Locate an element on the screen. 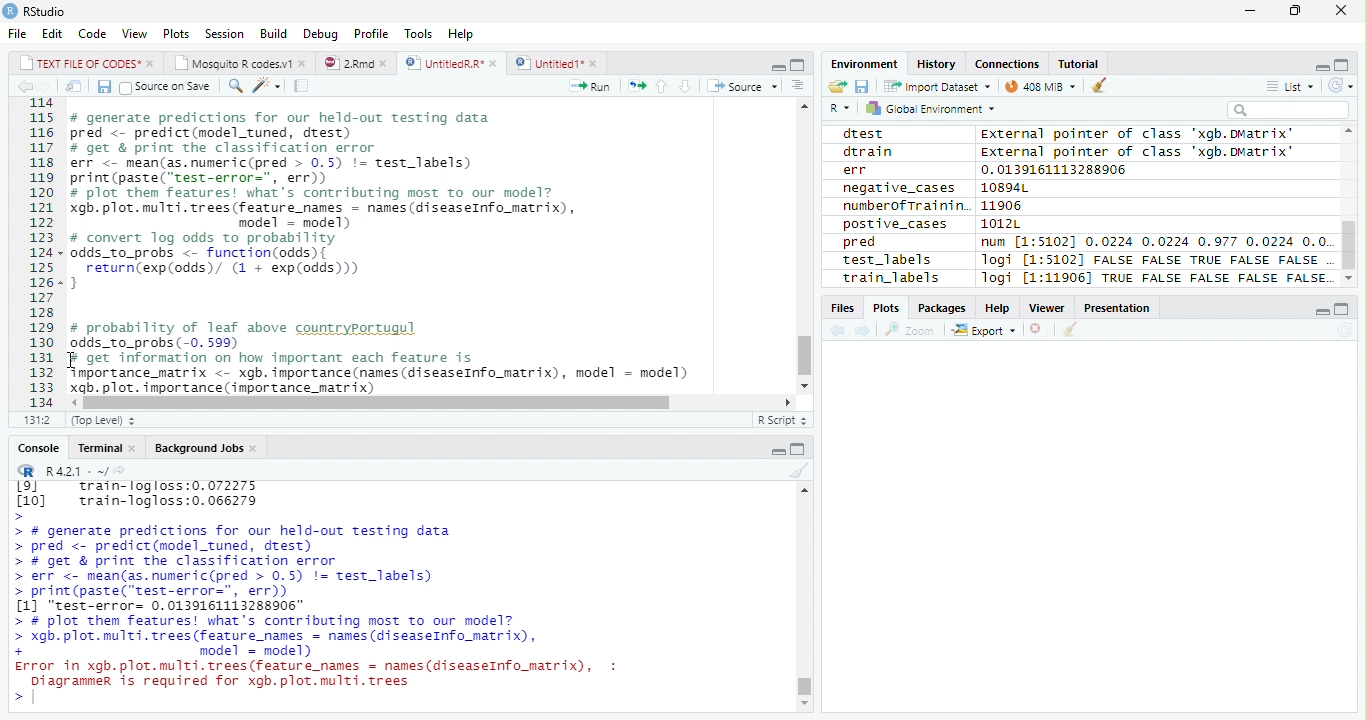 The height and width of the screenshot is (720, 1366). Help is located at coordinates (995, 307).